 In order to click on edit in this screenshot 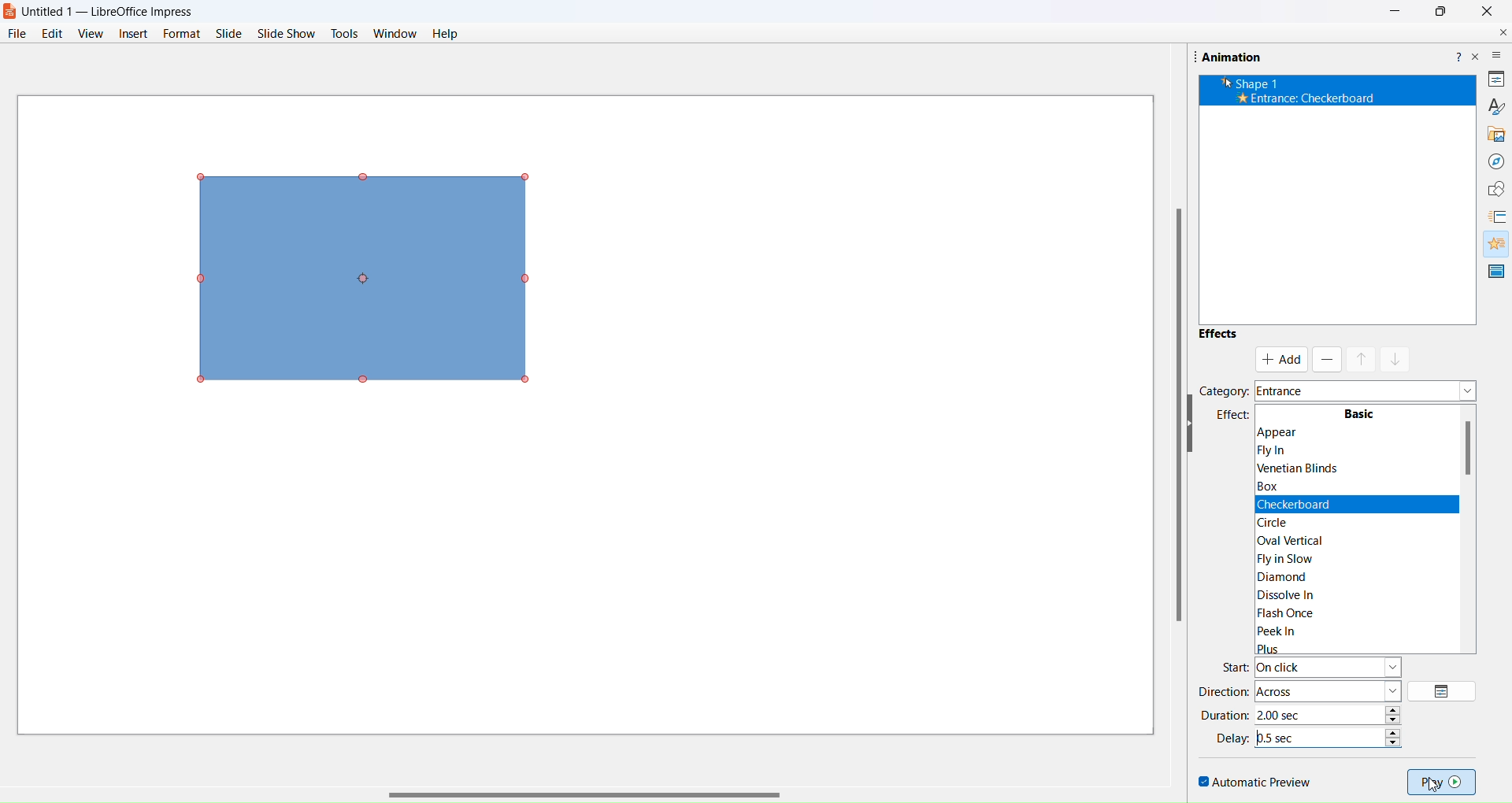, I will do `click(54, 32)`.